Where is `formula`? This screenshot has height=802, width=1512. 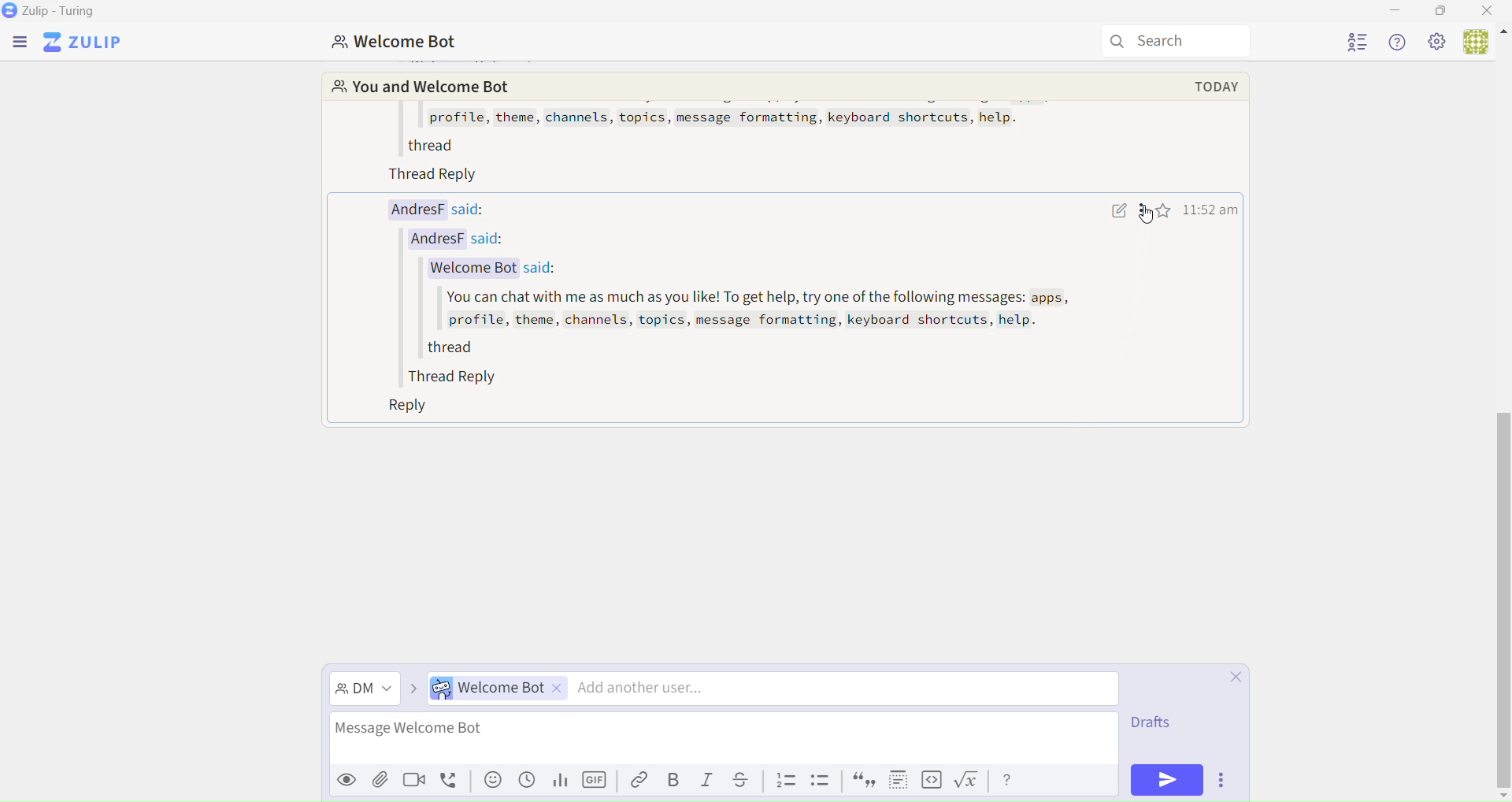
formula is located at coordinates (970, 782).